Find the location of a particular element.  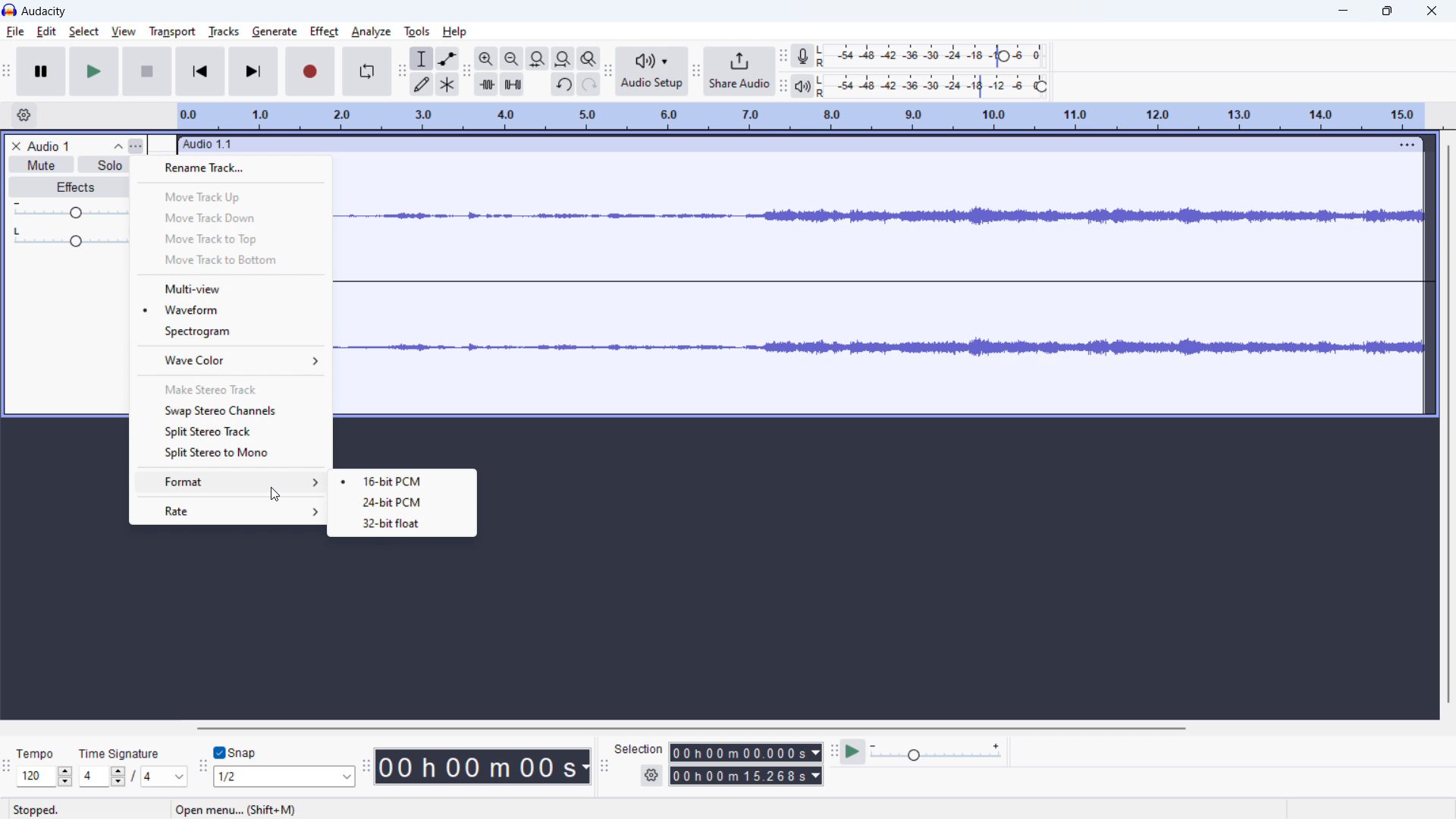

Time Signature is located at coordinates (124, 750).